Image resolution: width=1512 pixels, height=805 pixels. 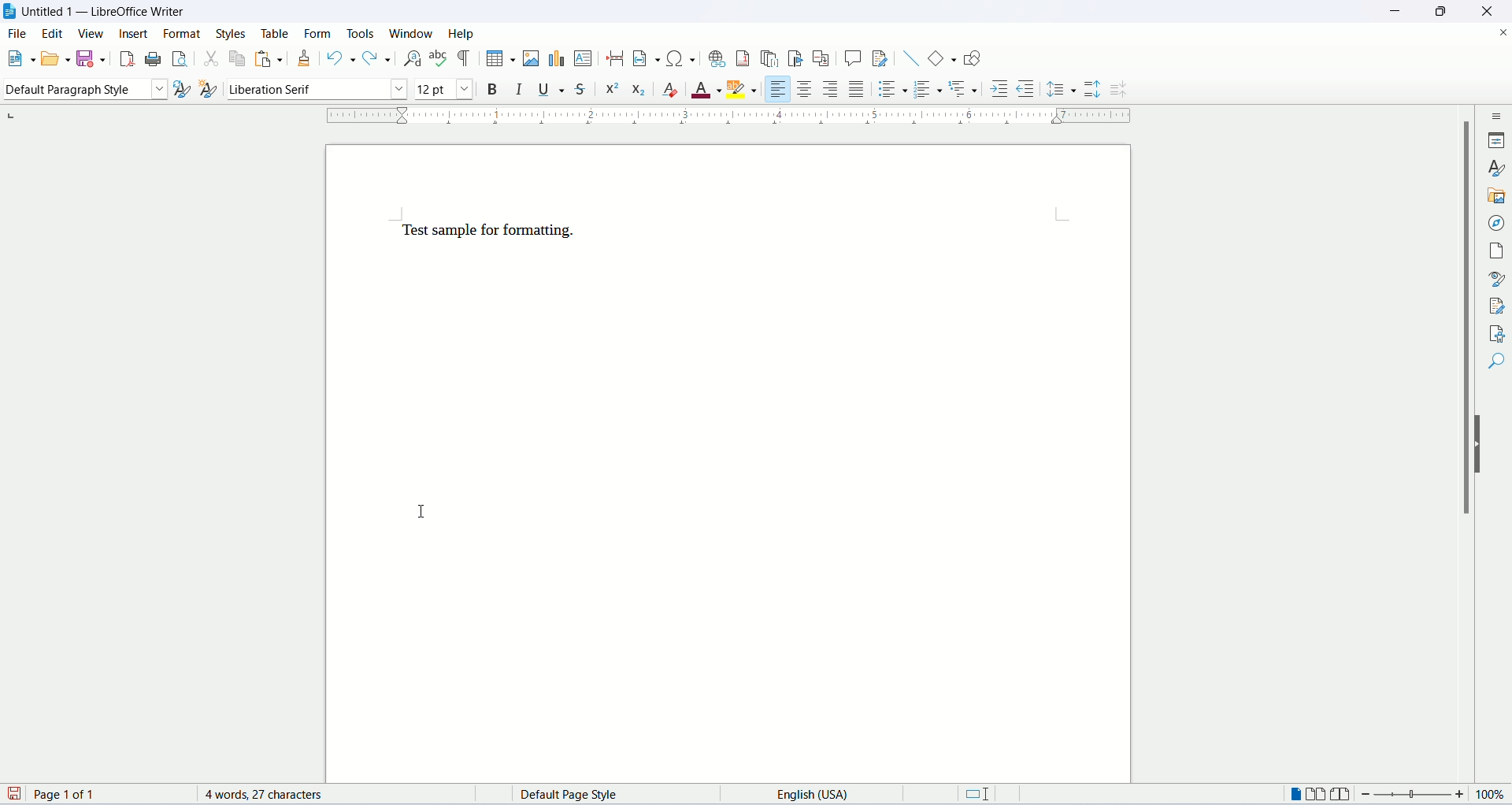 What do you see at coordinates (439, 59) in the screenshot?
I see `spelling` at bounding box center [439, 59].